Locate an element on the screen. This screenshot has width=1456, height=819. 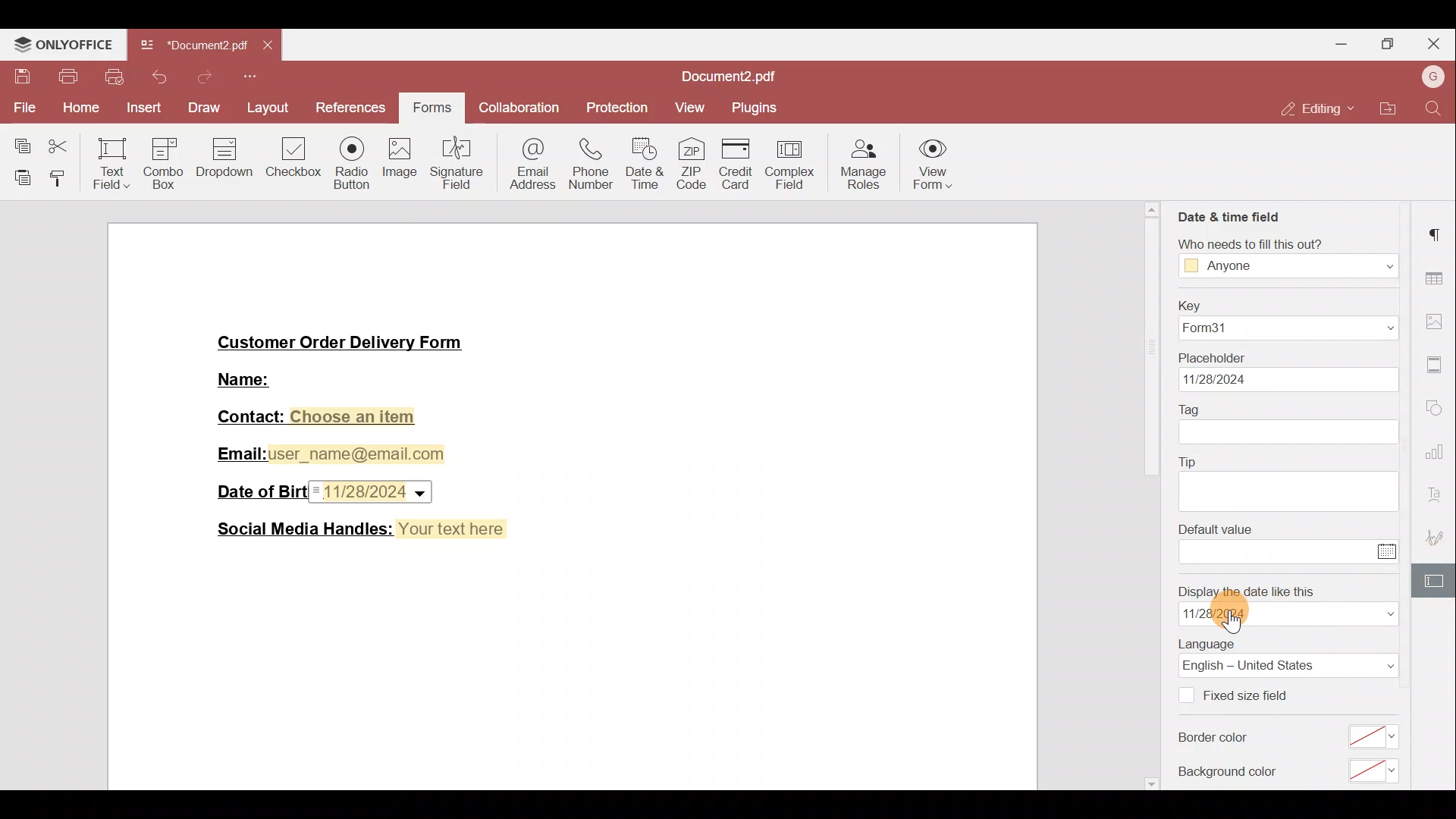
enter value is located at coordinates (1276, 551).